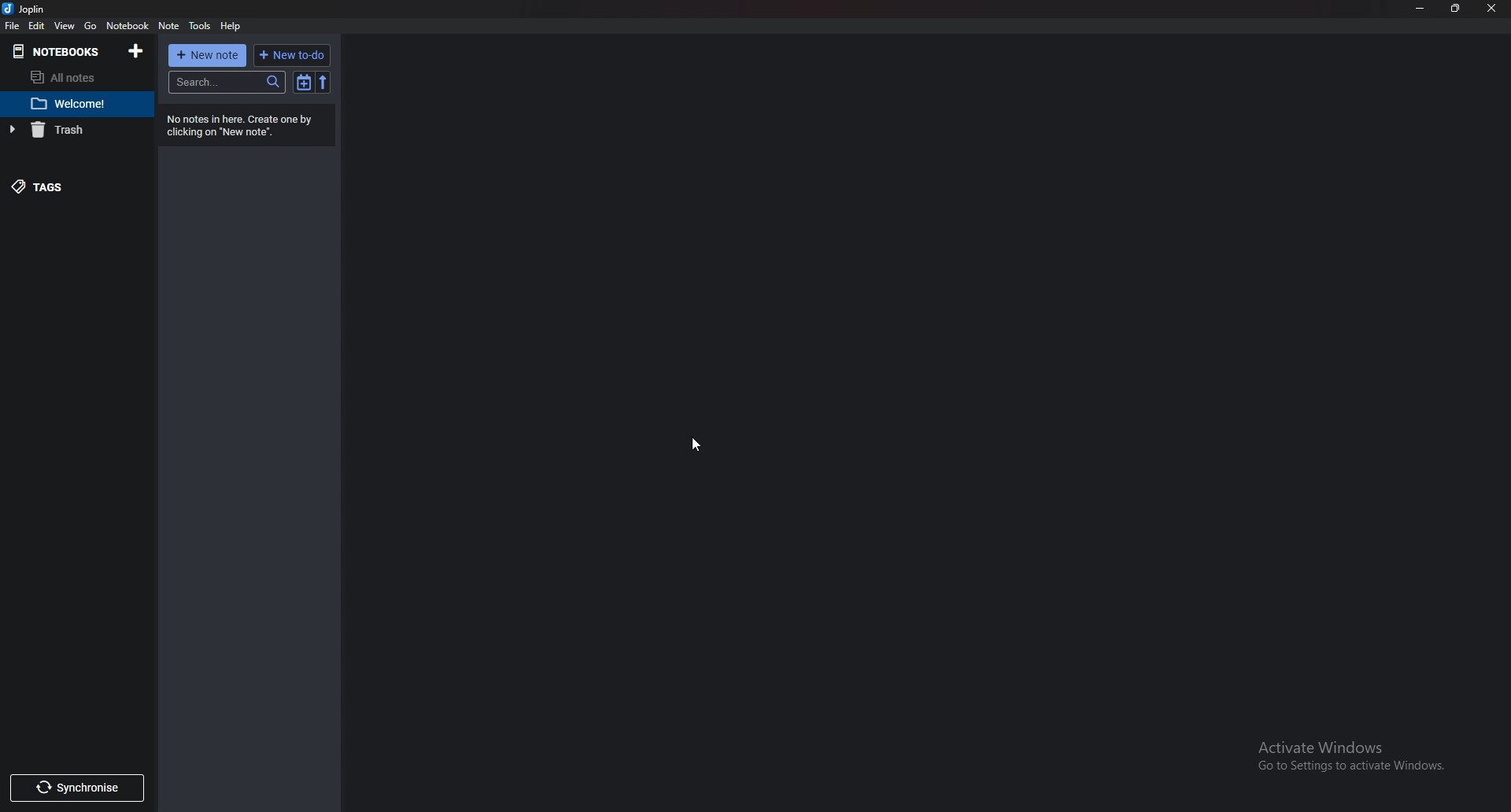  Describe the element at coordinates (292, 55) in the screenshot. I see `New to do` at that location.